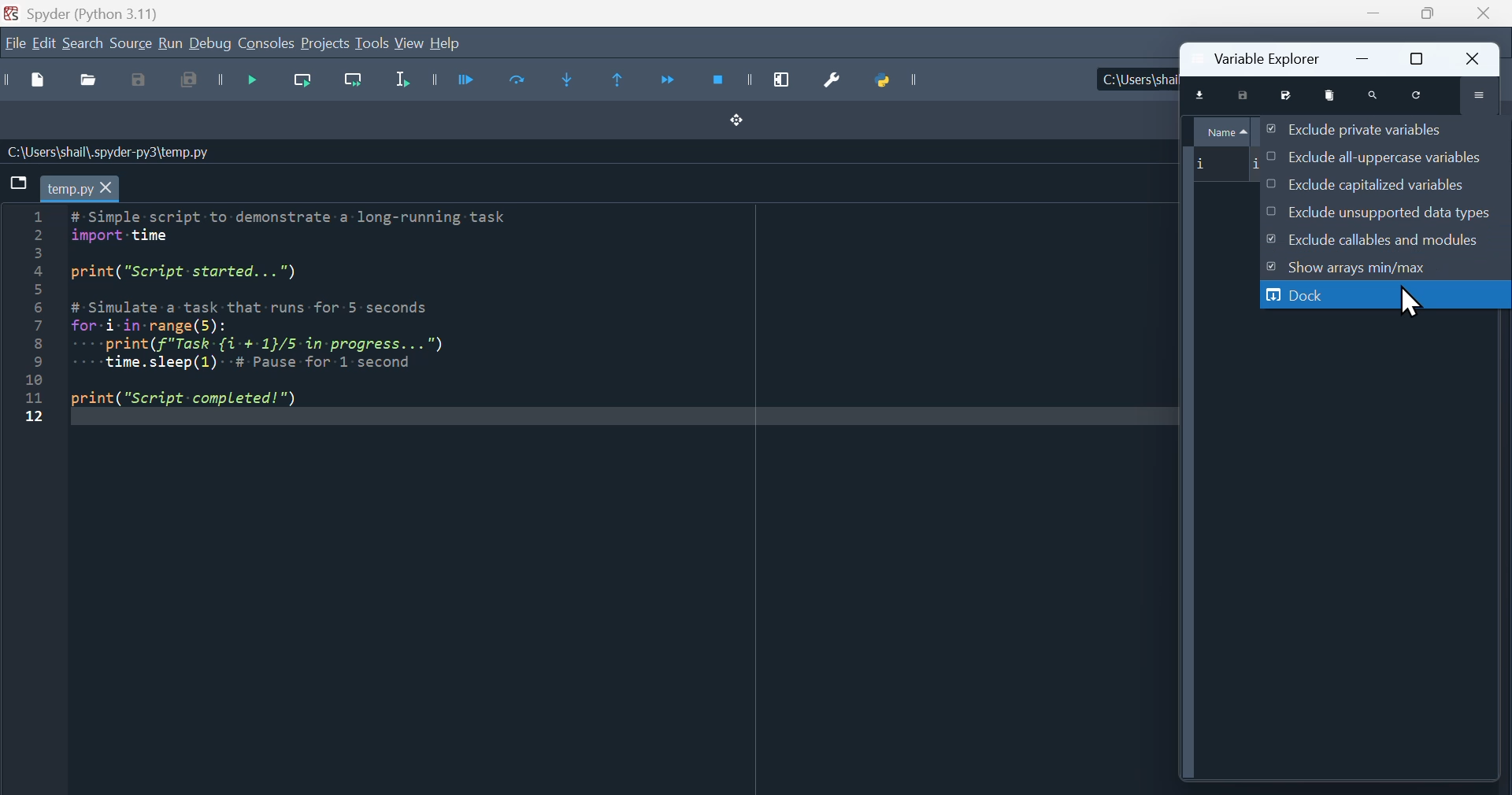 Image resolution: width=1512 pixels, height=795 pixels. Describe the element at coordinates (1264, 57) in the screenshot. I see `Variable Explorer` at that location.